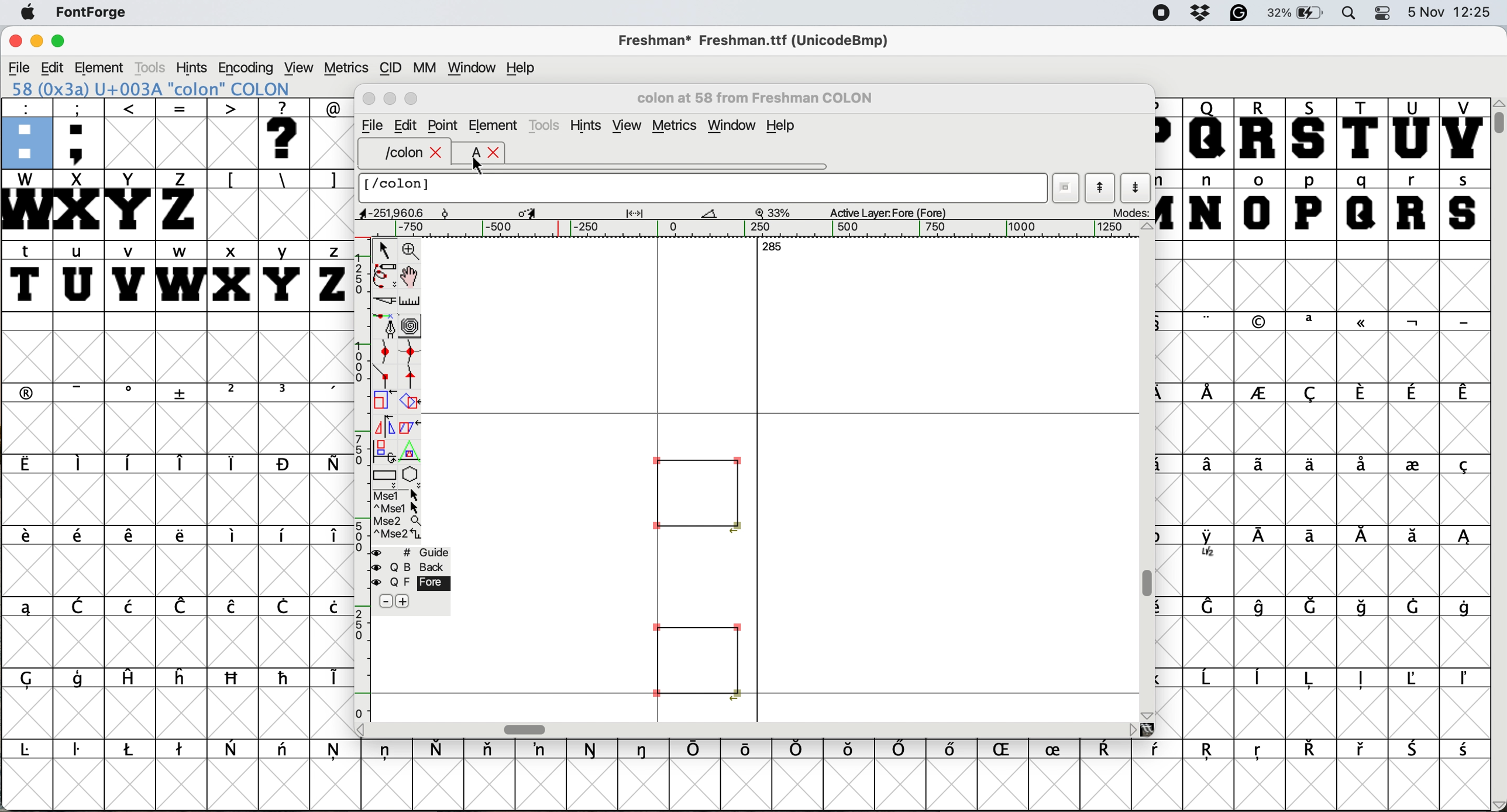 The image size is (1507, 812). I want to click on symbol, so click(1412, 536).